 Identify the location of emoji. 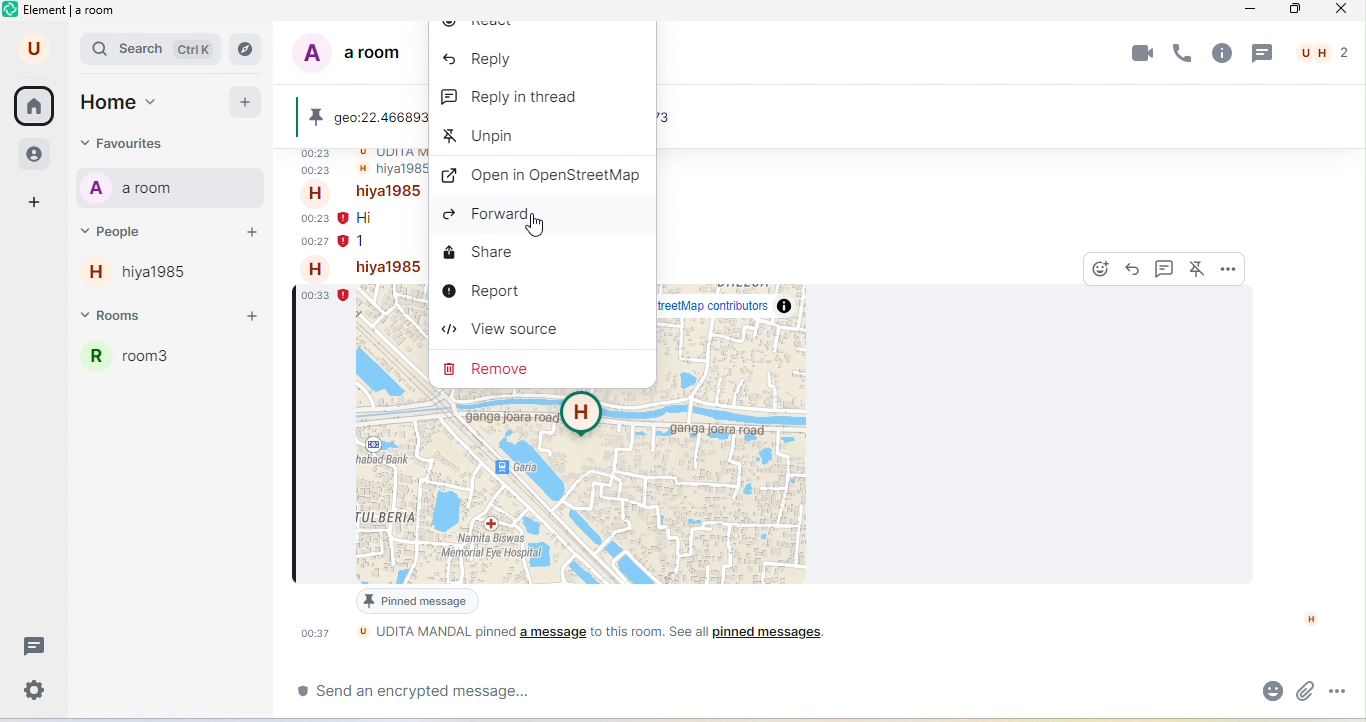
(1267, 692).